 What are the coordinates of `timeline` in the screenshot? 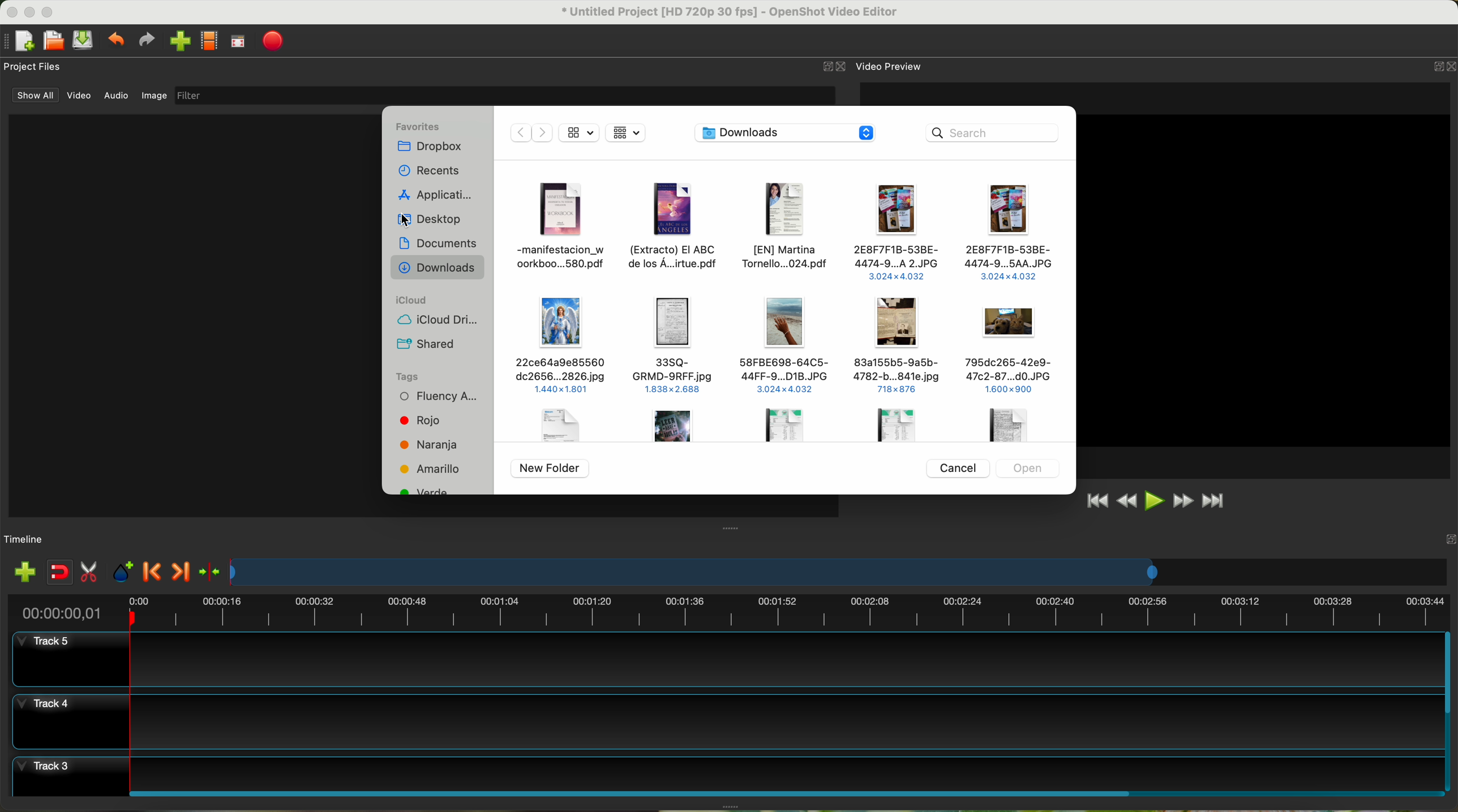 It's located at (727, 610).